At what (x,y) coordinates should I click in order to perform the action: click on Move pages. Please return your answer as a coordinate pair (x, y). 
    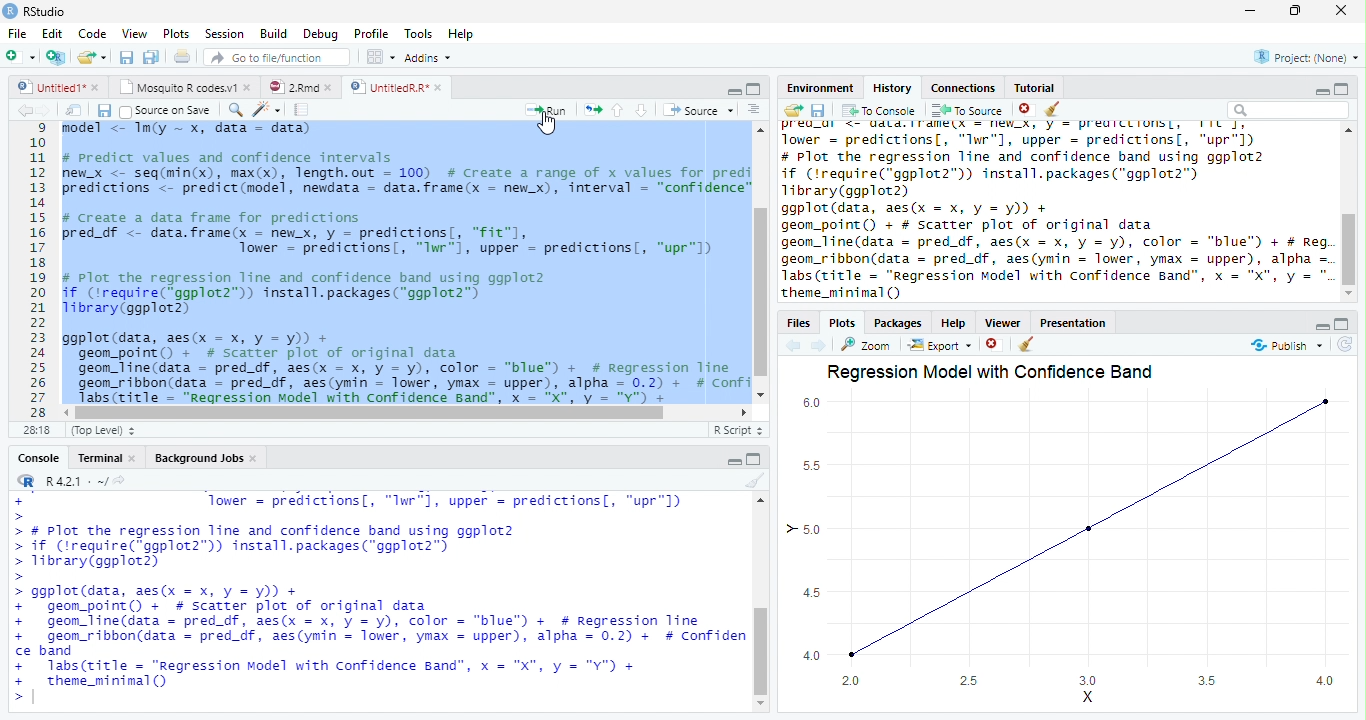
    Looking at the image, I should click on (590, 109).